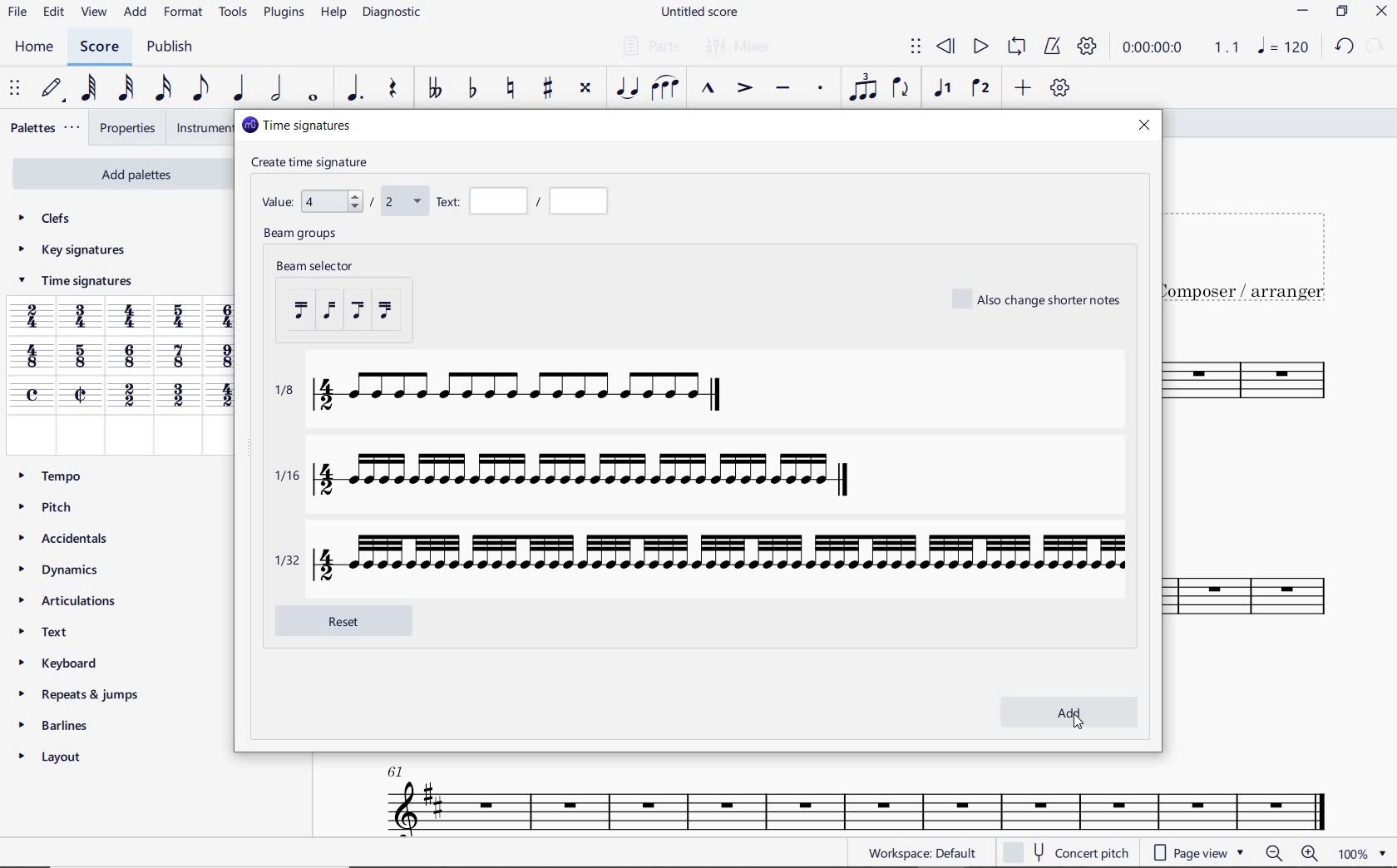 The width and height of the screenshot is (1397, 868). Describe the element at coordinates (1088, 49) in the screenshot. I see `PLAYBACK SETTINGS` at that location.